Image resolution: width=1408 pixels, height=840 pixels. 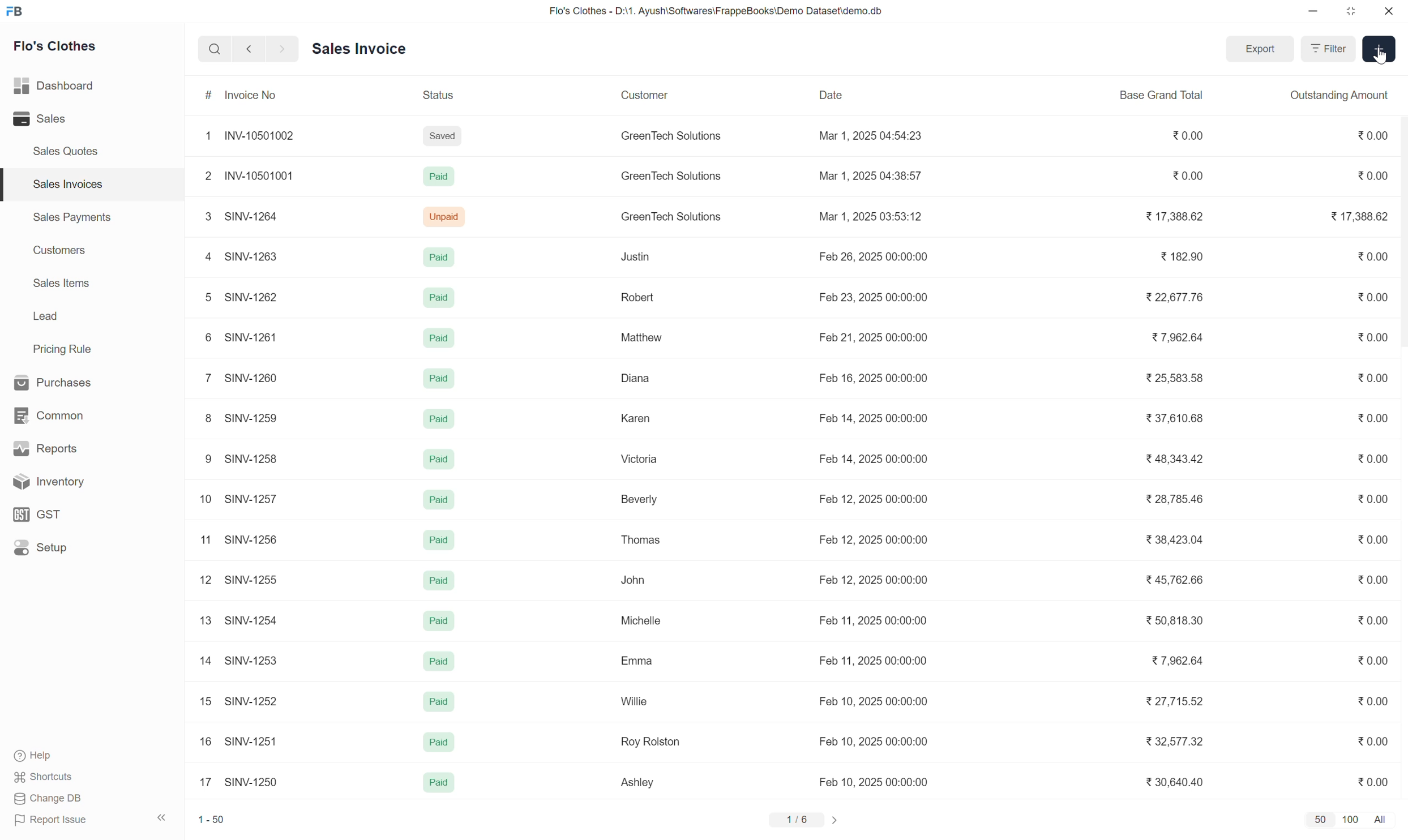 I want to click on SINV-1253, so click(x=253, y=663).